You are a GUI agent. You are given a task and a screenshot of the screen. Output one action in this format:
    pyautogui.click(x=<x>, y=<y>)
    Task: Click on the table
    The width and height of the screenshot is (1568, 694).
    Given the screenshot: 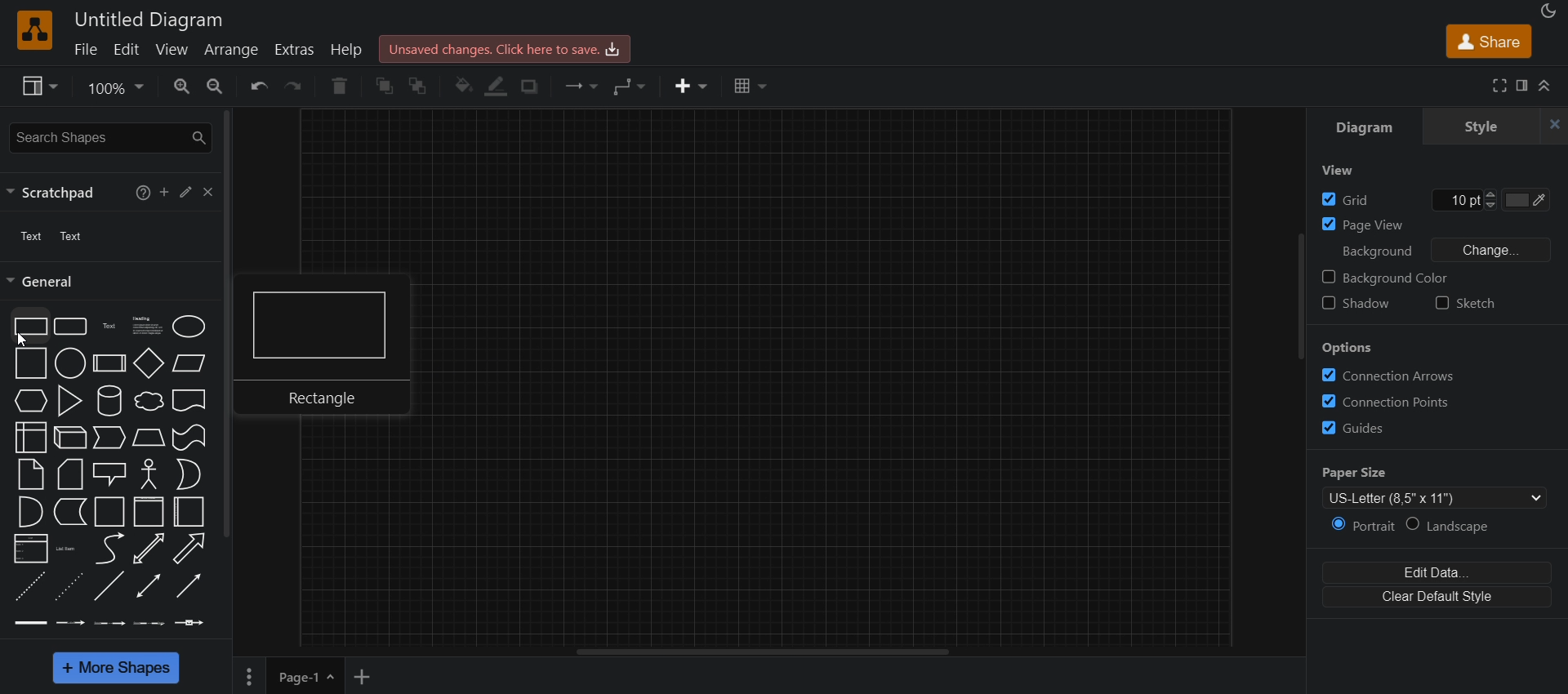 What is the action you would take?
    pyautogui.click(x=752, y=85)
    